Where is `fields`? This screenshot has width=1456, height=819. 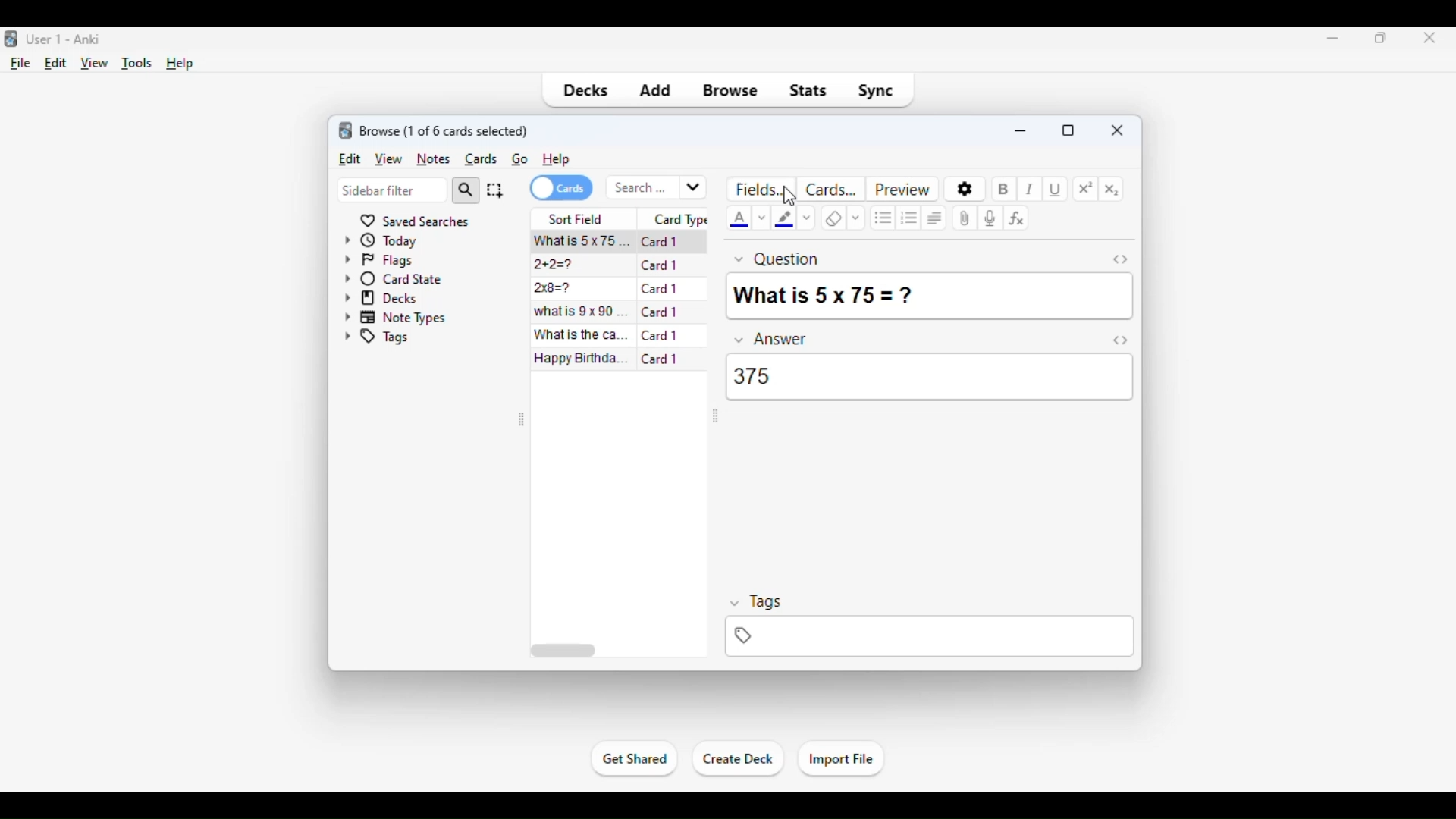
fields is located at coordinates (764, 188).